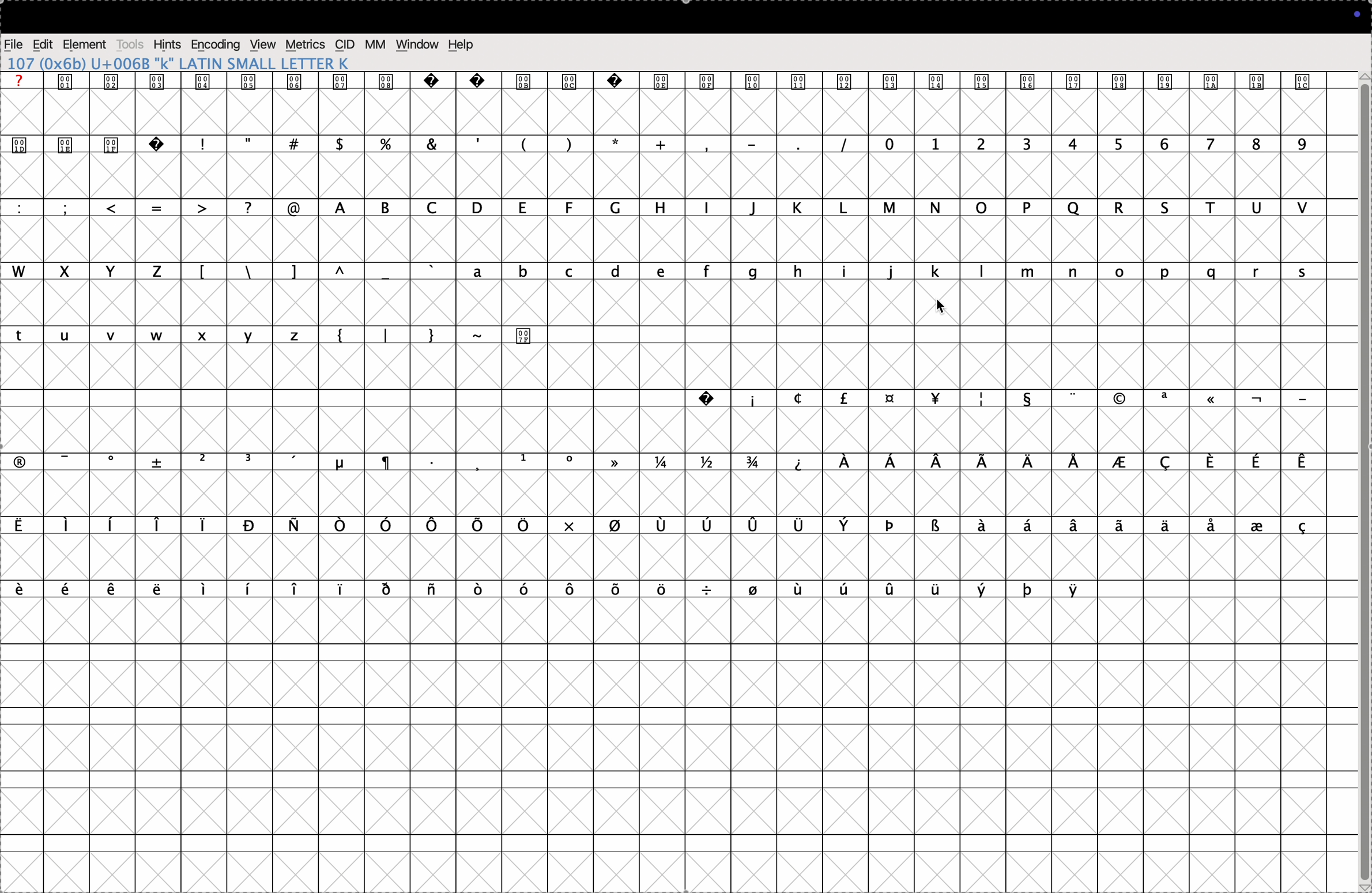  What do you see at coordinates (1209, 145) in the screenshot?
I see `7` at bounding box center [1209, 145].